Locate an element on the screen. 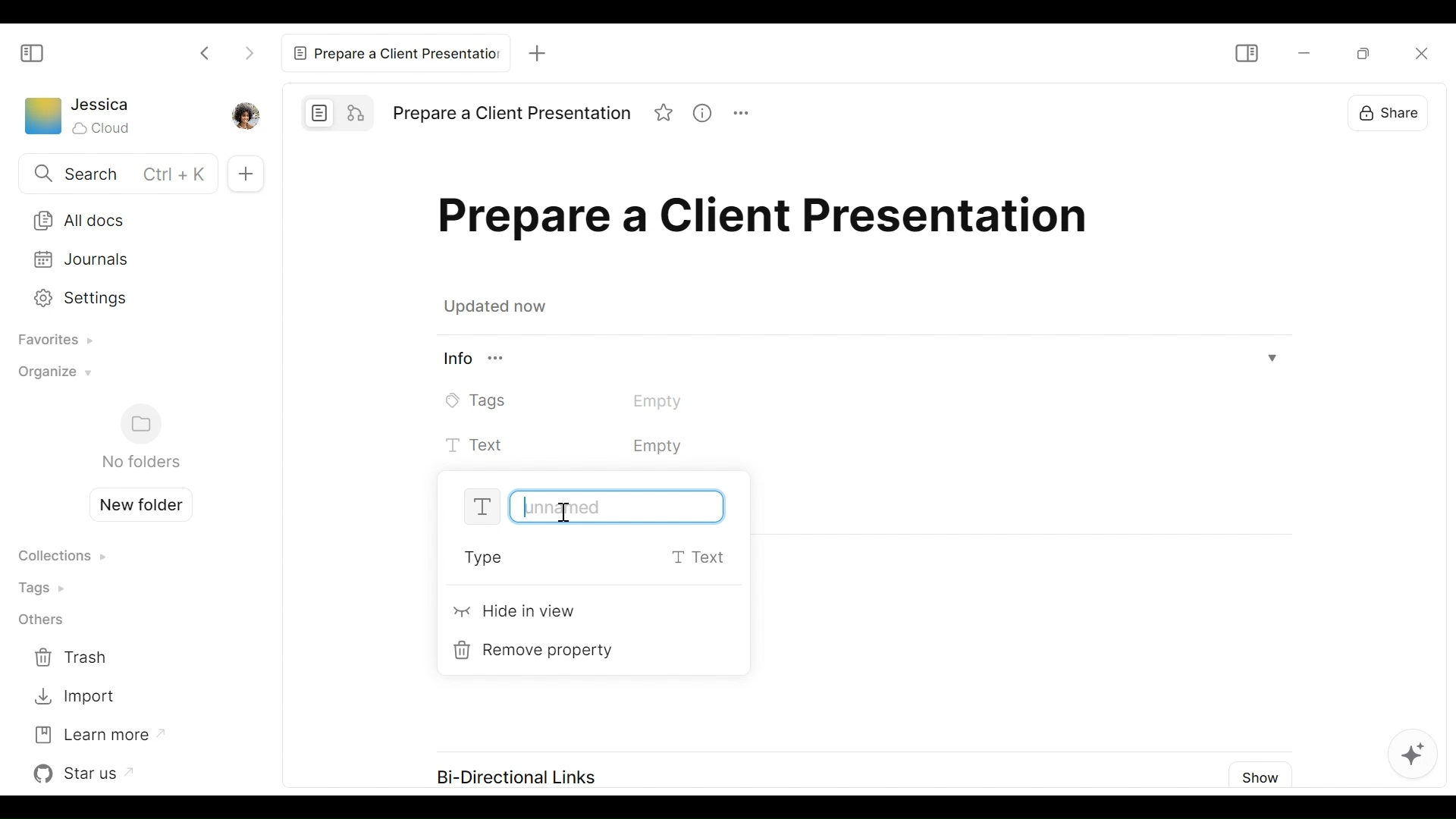 The image size is (1456, 819). Updated now is located at coordinates (499, 309).